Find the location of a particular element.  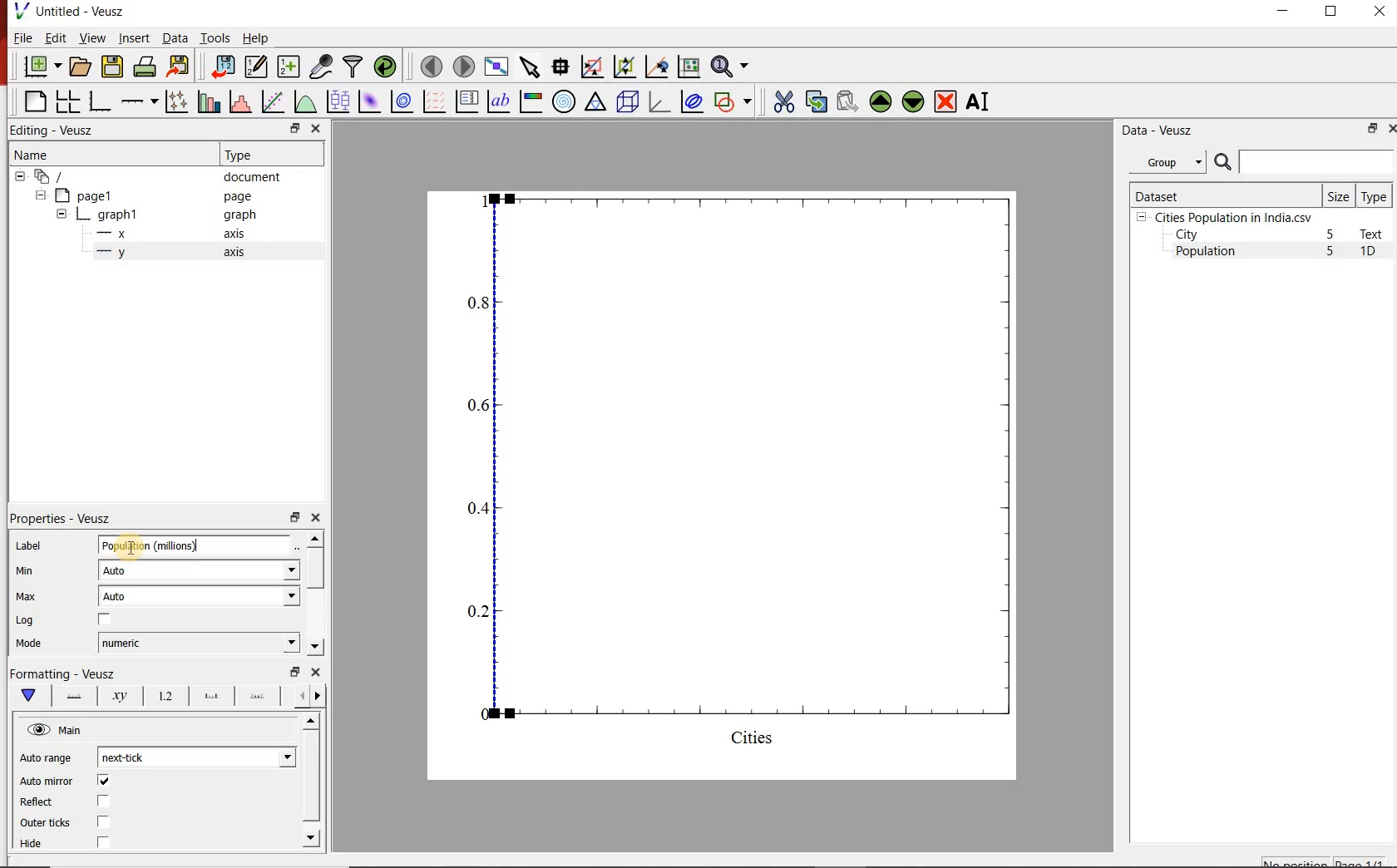

Help is located at coordinates (257, 37).